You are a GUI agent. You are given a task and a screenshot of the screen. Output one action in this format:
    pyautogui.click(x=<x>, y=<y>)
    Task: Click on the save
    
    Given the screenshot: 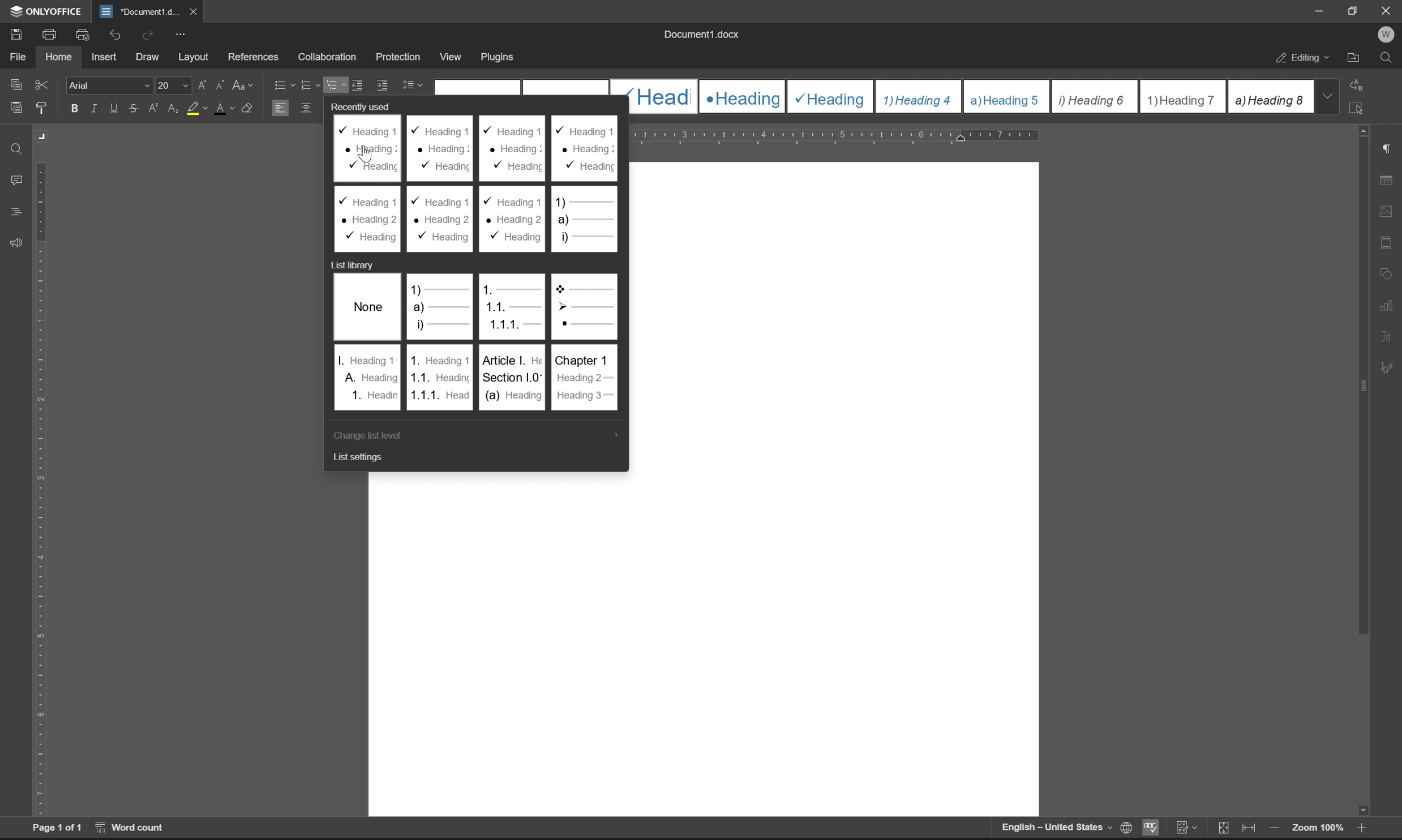 What is the action you would take?
    pyautogui.click(x=12, y=33)
    